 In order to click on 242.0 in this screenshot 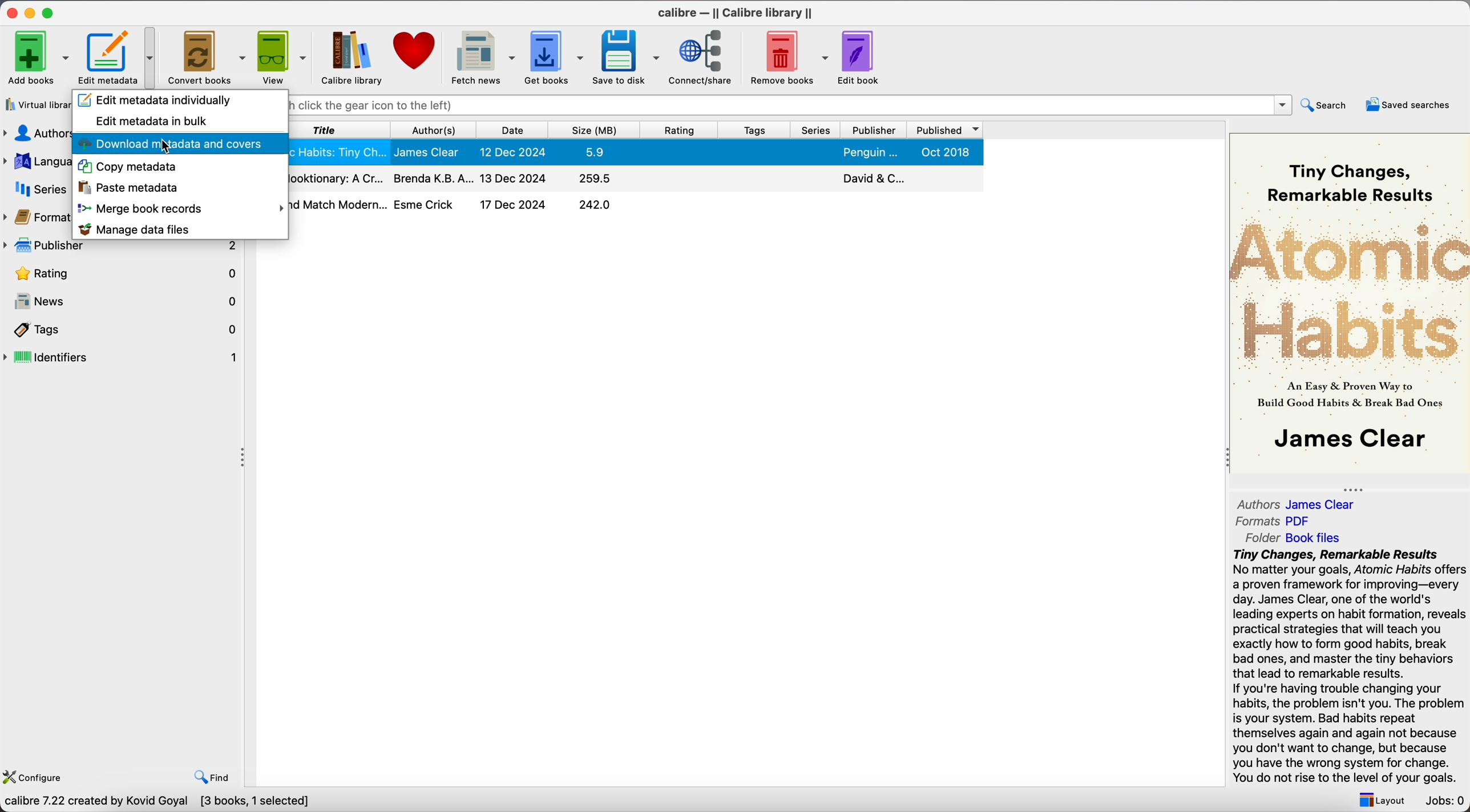, I will do `click(595, 205)`.